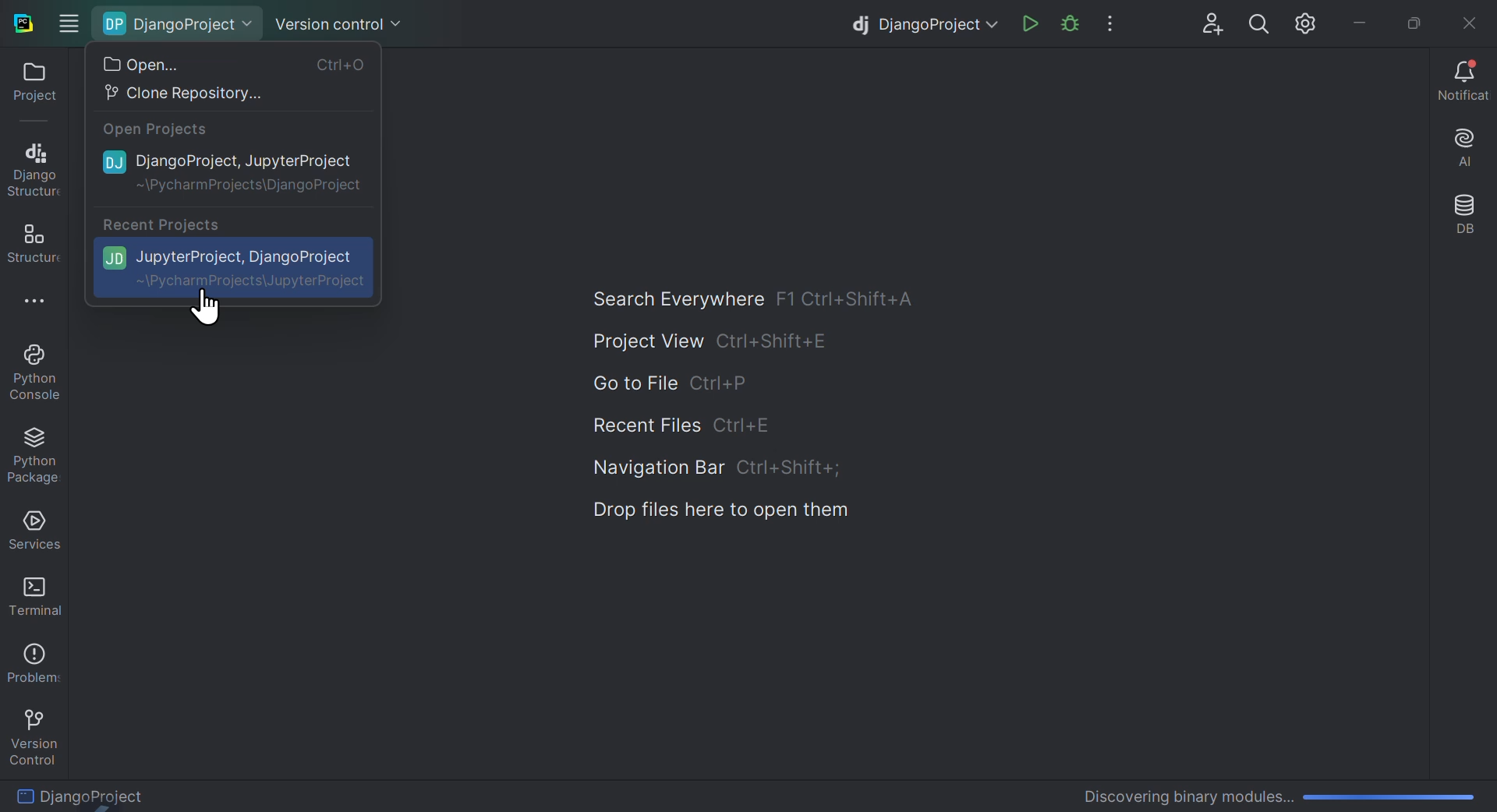 This screenshot has height=812, width=1497. What do you see at coordinates (1069, 24) in the screenshot?
I see `Run project file` at bounding box center [1069, 24].